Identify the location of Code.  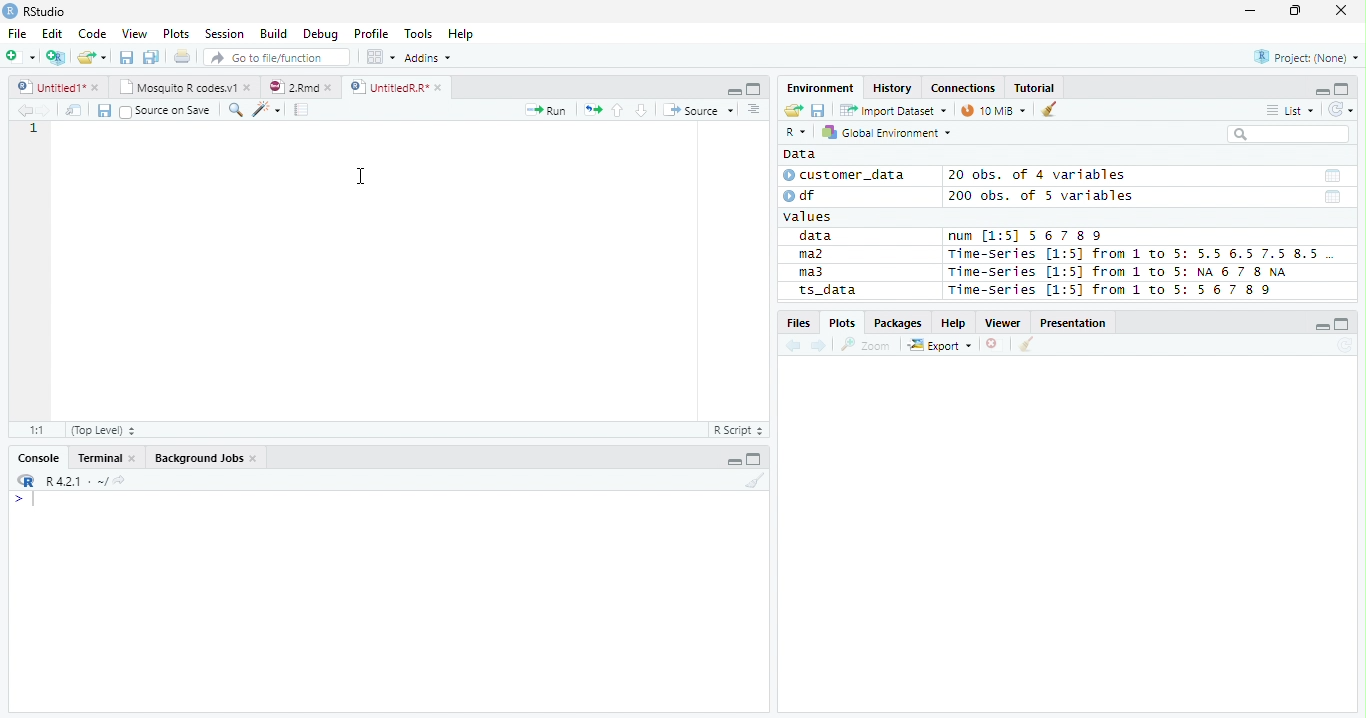
(94, 34).